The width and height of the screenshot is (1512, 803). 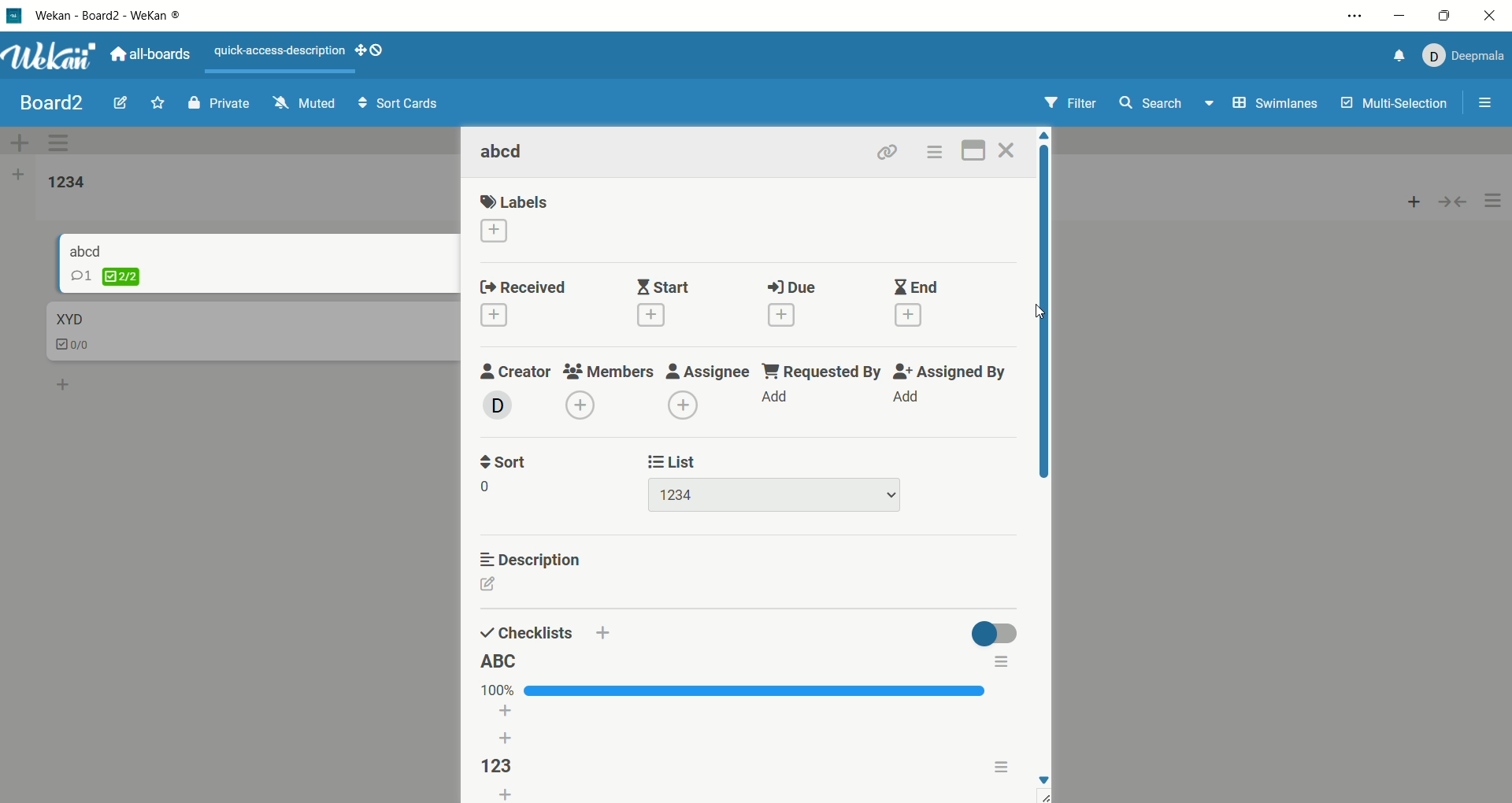 What do you see at coordinates (793, 287) in the screenshot?
I see `due` at bounding box center [793, 287].